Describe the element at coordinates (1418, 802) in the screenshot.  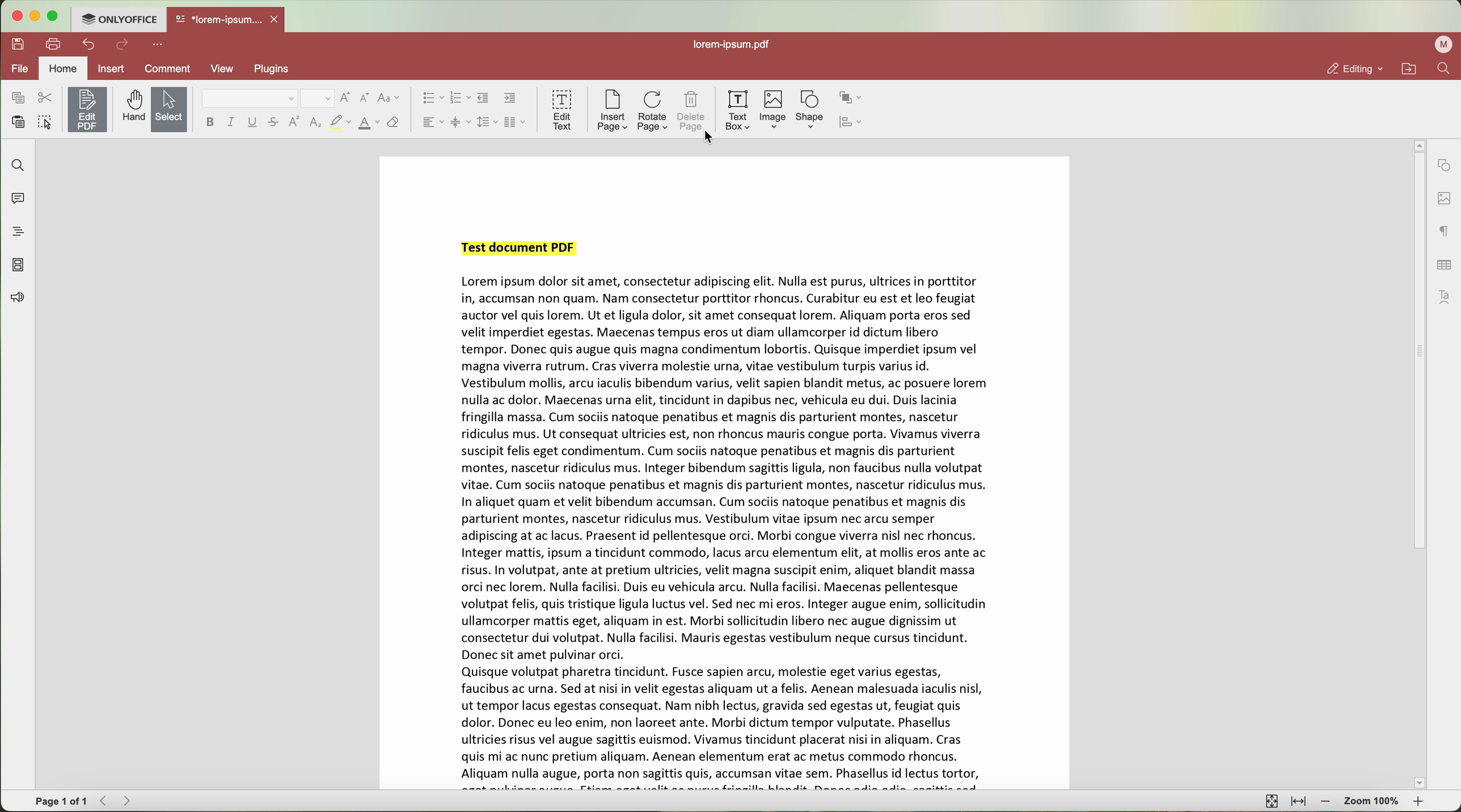
I see `zoom in` at that location.